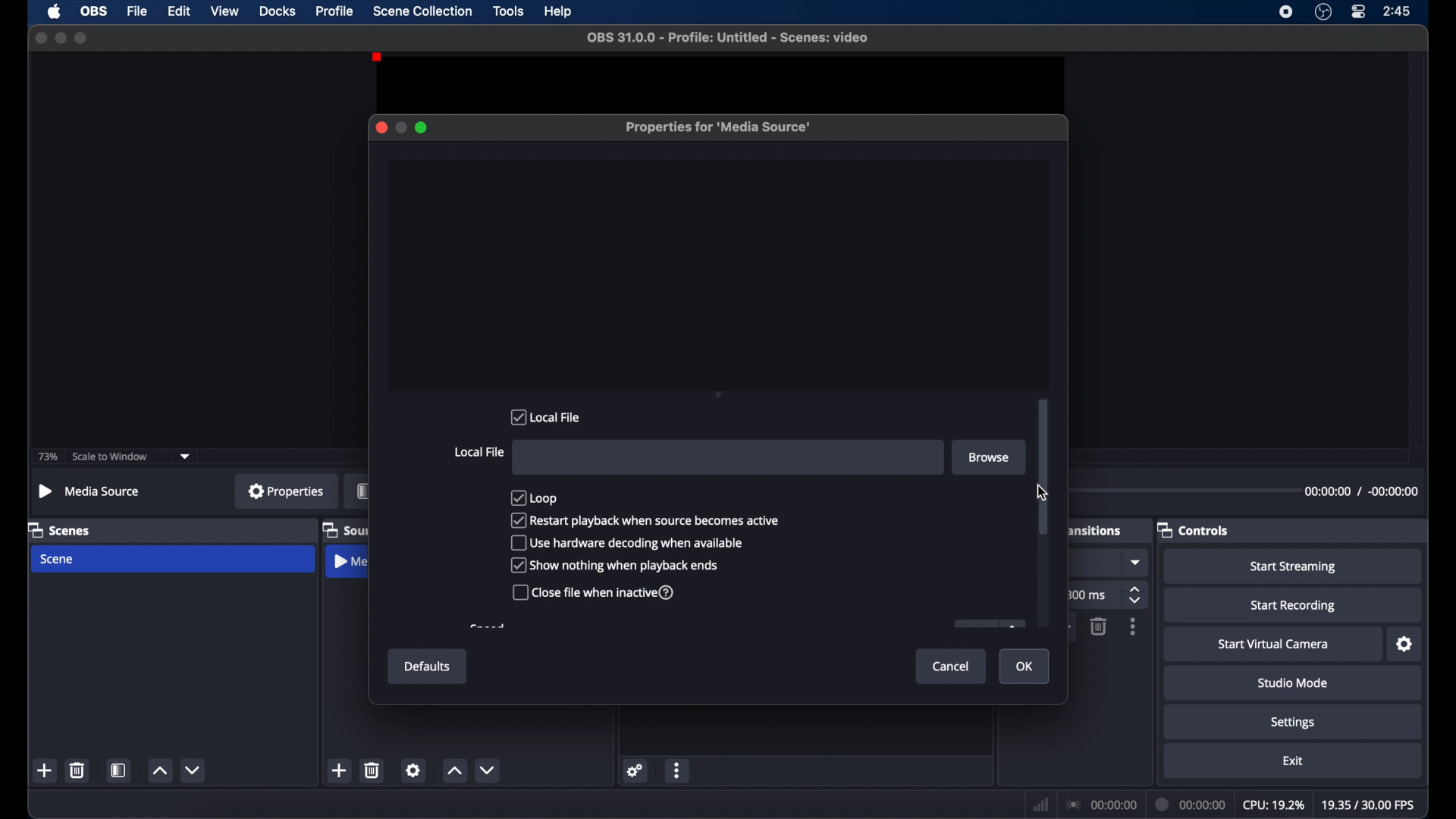 This screenshot has height=819, width=1456. What do you see at coordinates (1134, 627) in the screenshot?
I see `more options` at bounding box center [1134, 627].